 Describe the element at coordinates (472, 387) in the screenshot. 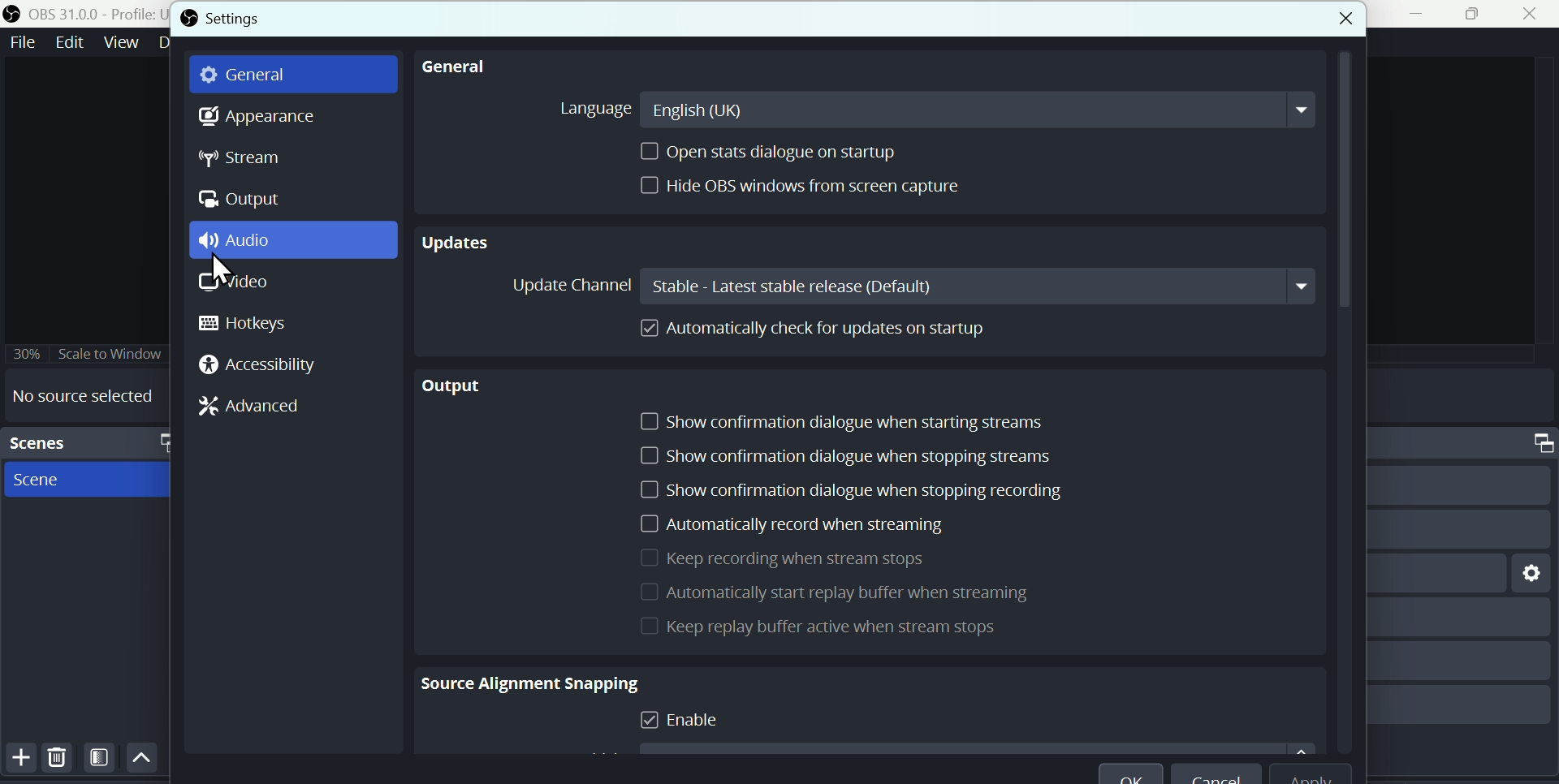

I see `output` at that location.